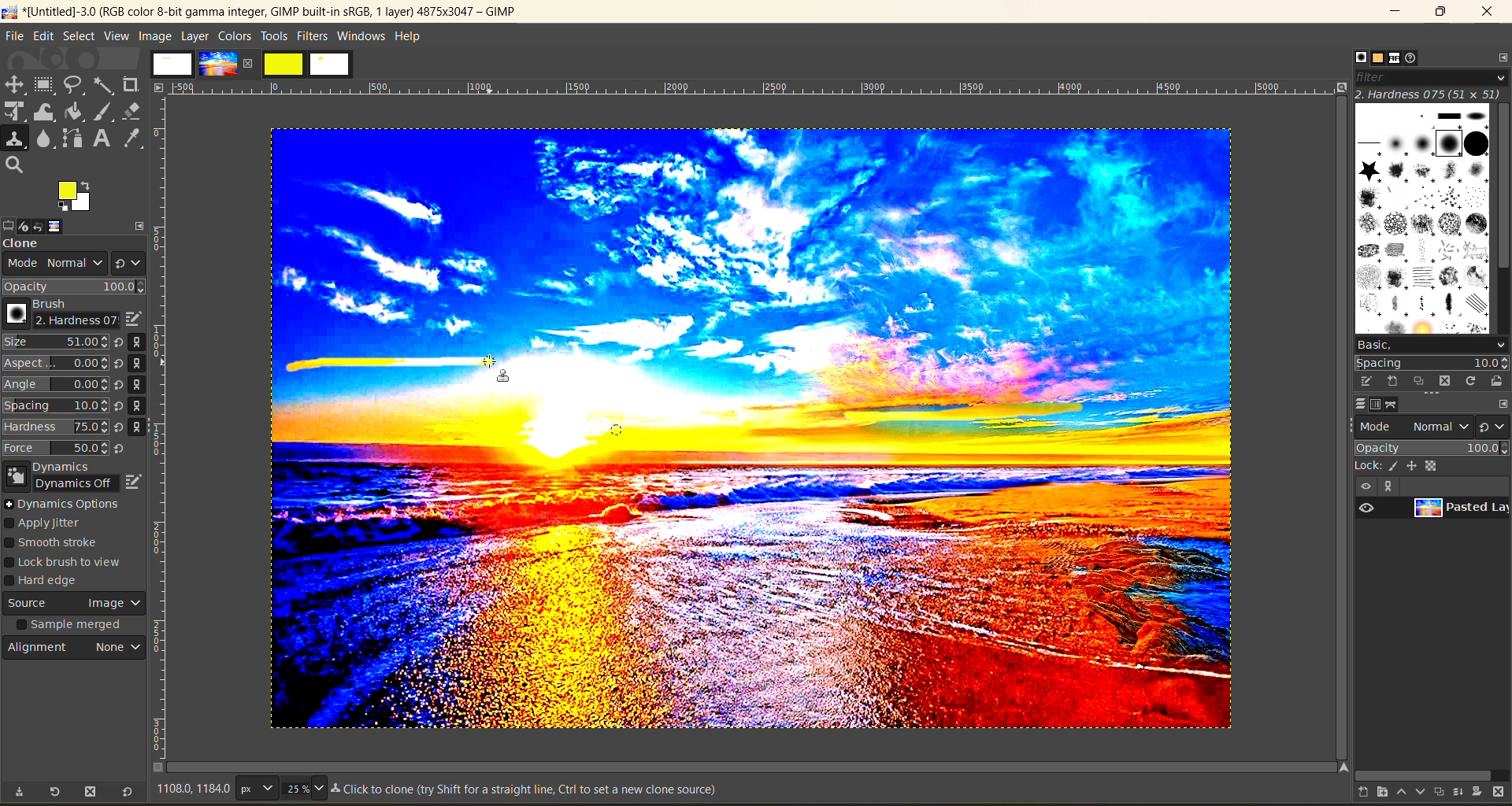 The width and height of the screenshot is (1512, 806). What do you see at coordinates (757, 88) in the screenshot?
I see `ruler` at bounding box center [757, 88].